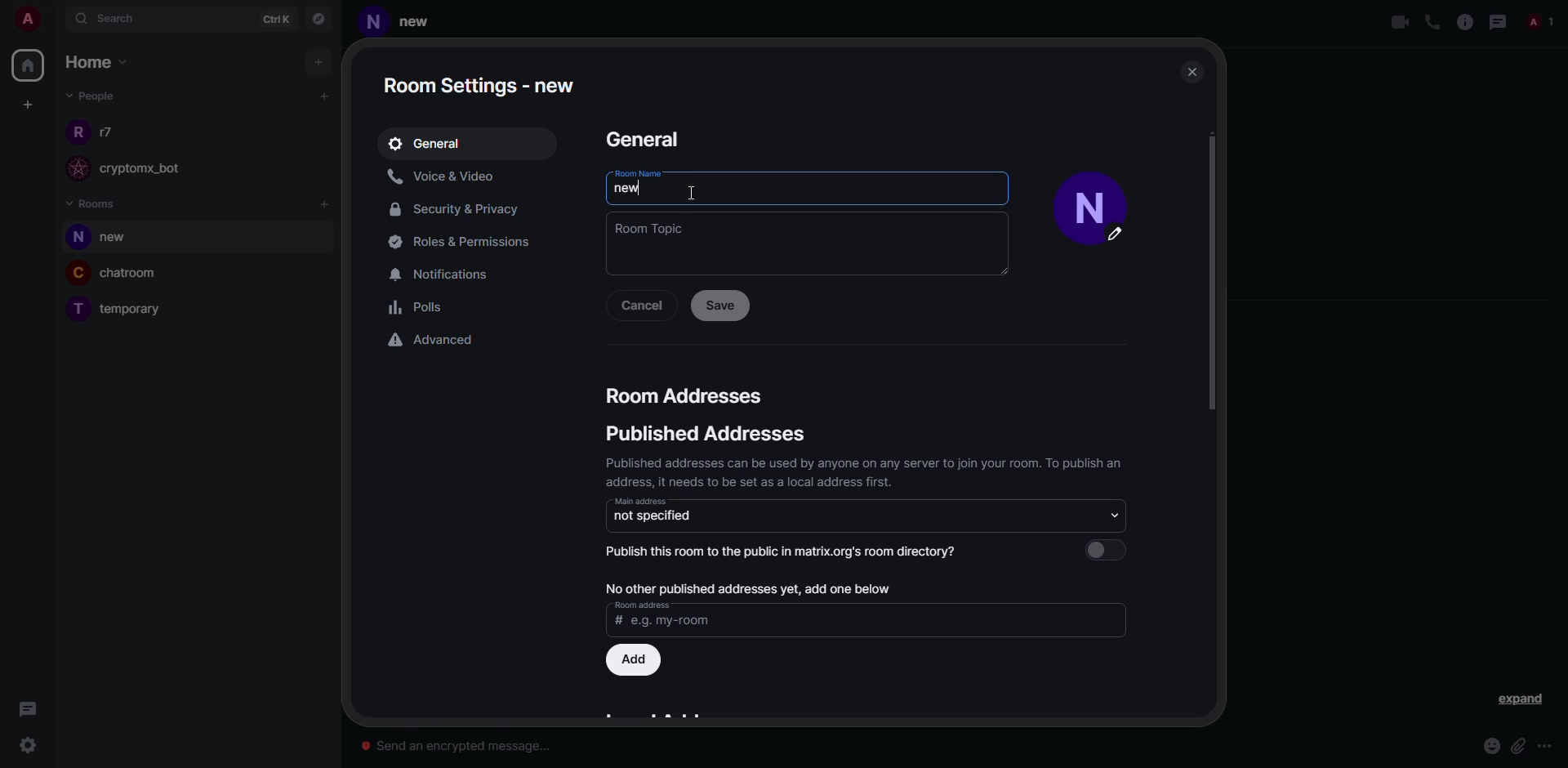  I want to click on voice call, so click(1430, 22).